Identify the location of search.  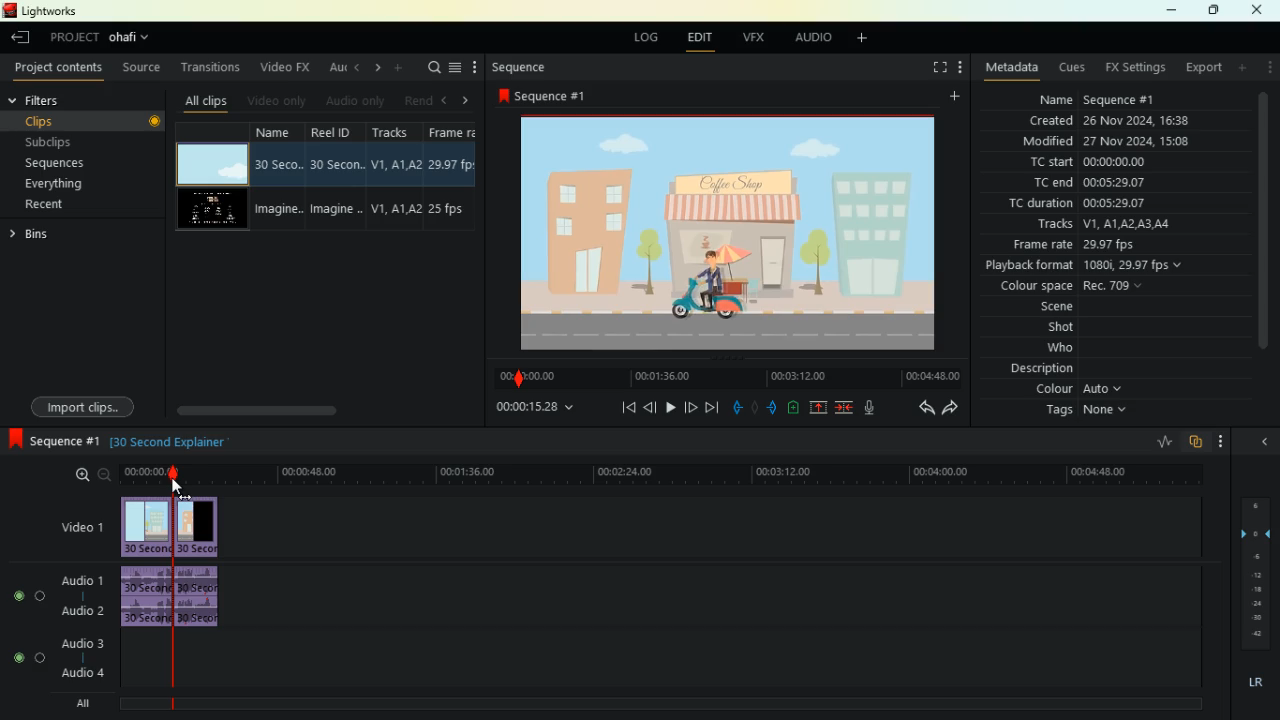
(433, 69).